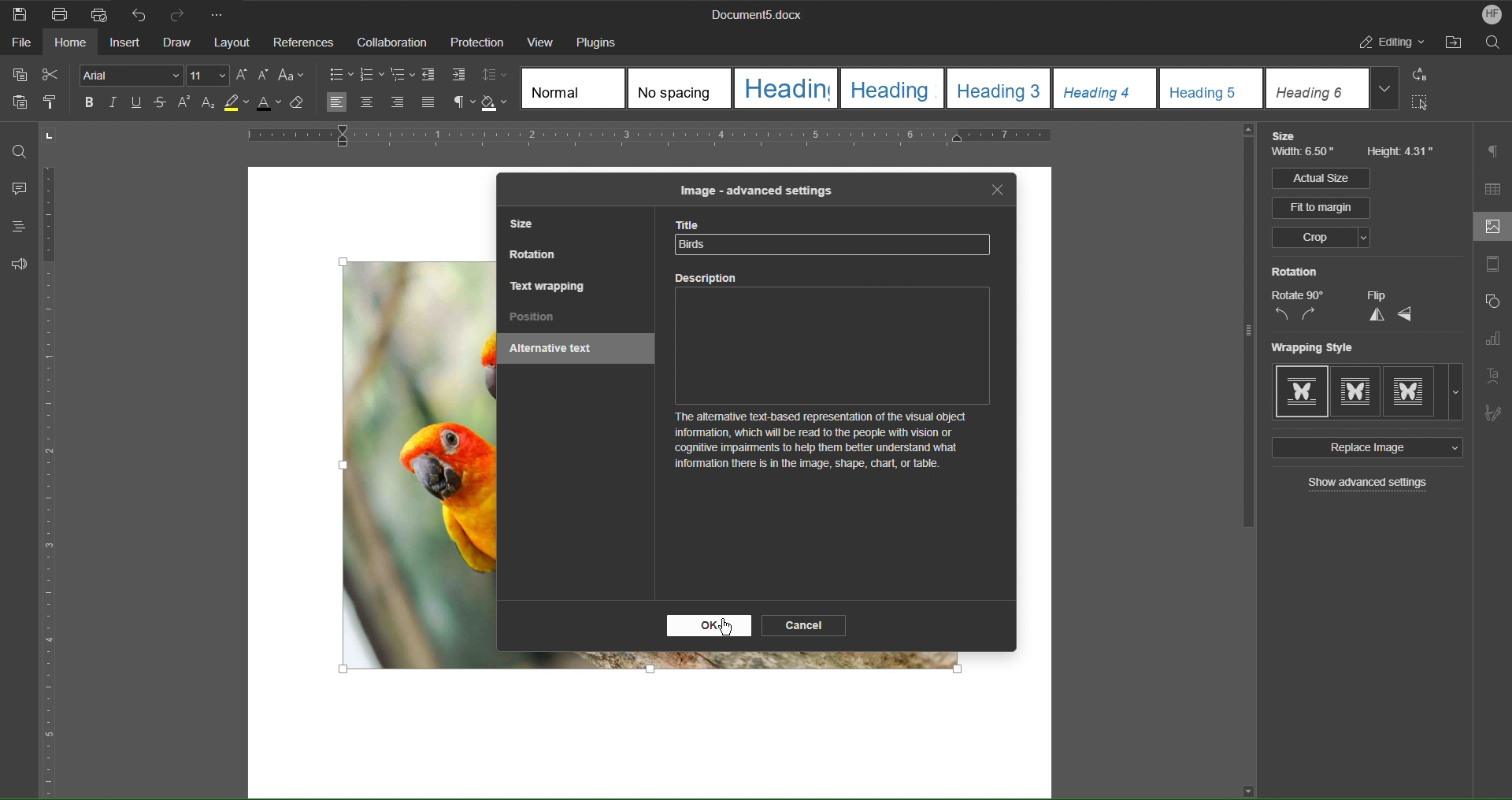 This screenshot has height=800, width=1512. Describe the element at coordinates (1374, 315) in the screenshot. I see `Vertical Flip` at that location.